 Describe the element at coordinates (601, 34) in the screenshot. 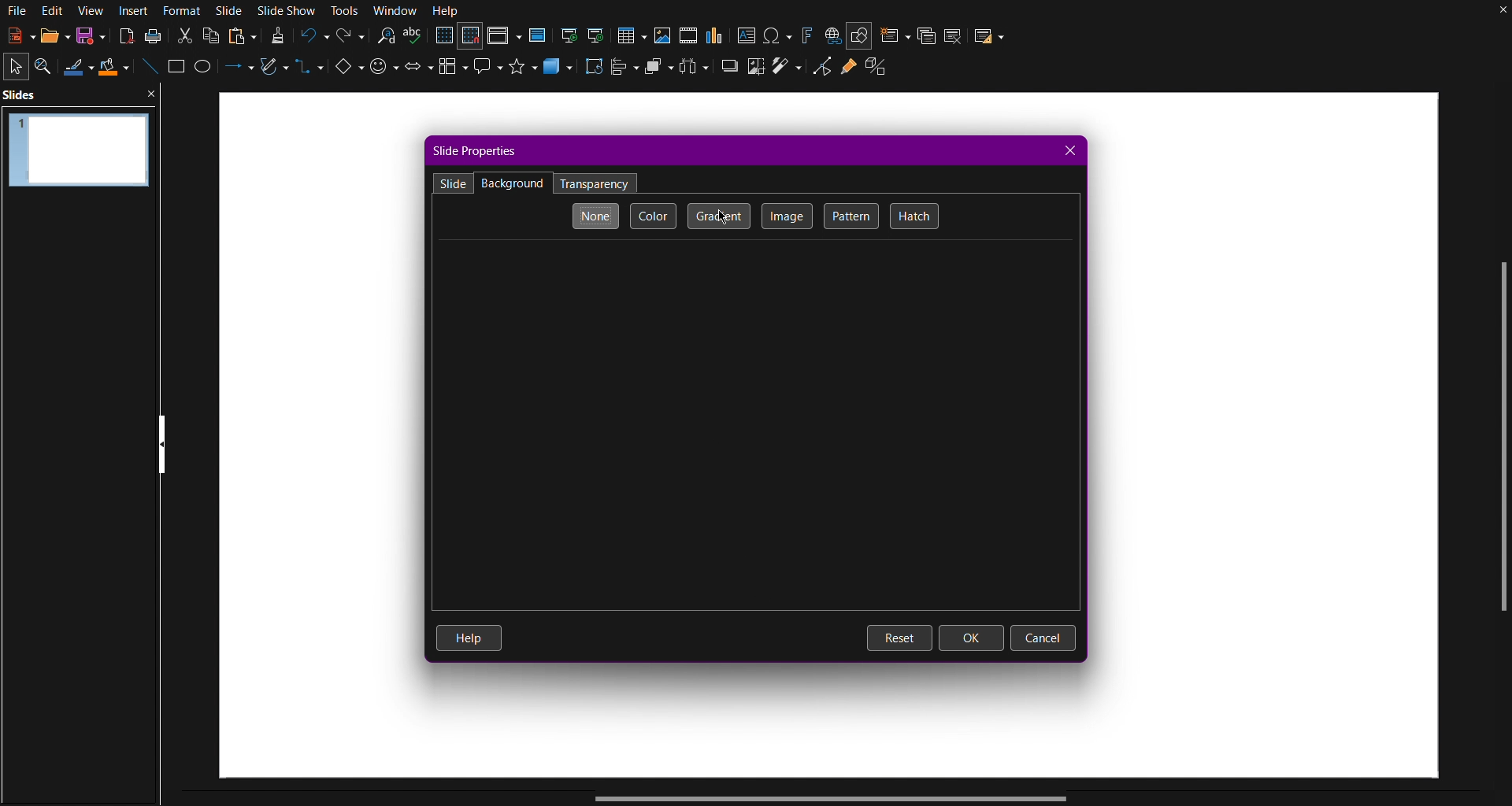

I see `Start from current slide` at that location.